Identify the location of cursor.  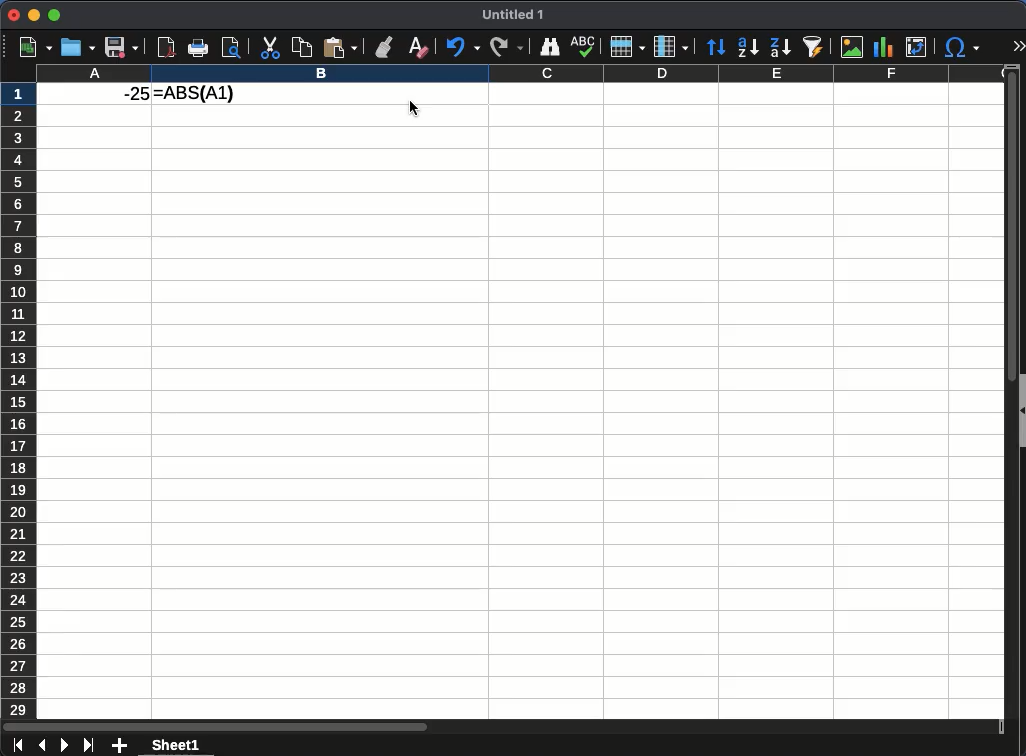
(418, 111).